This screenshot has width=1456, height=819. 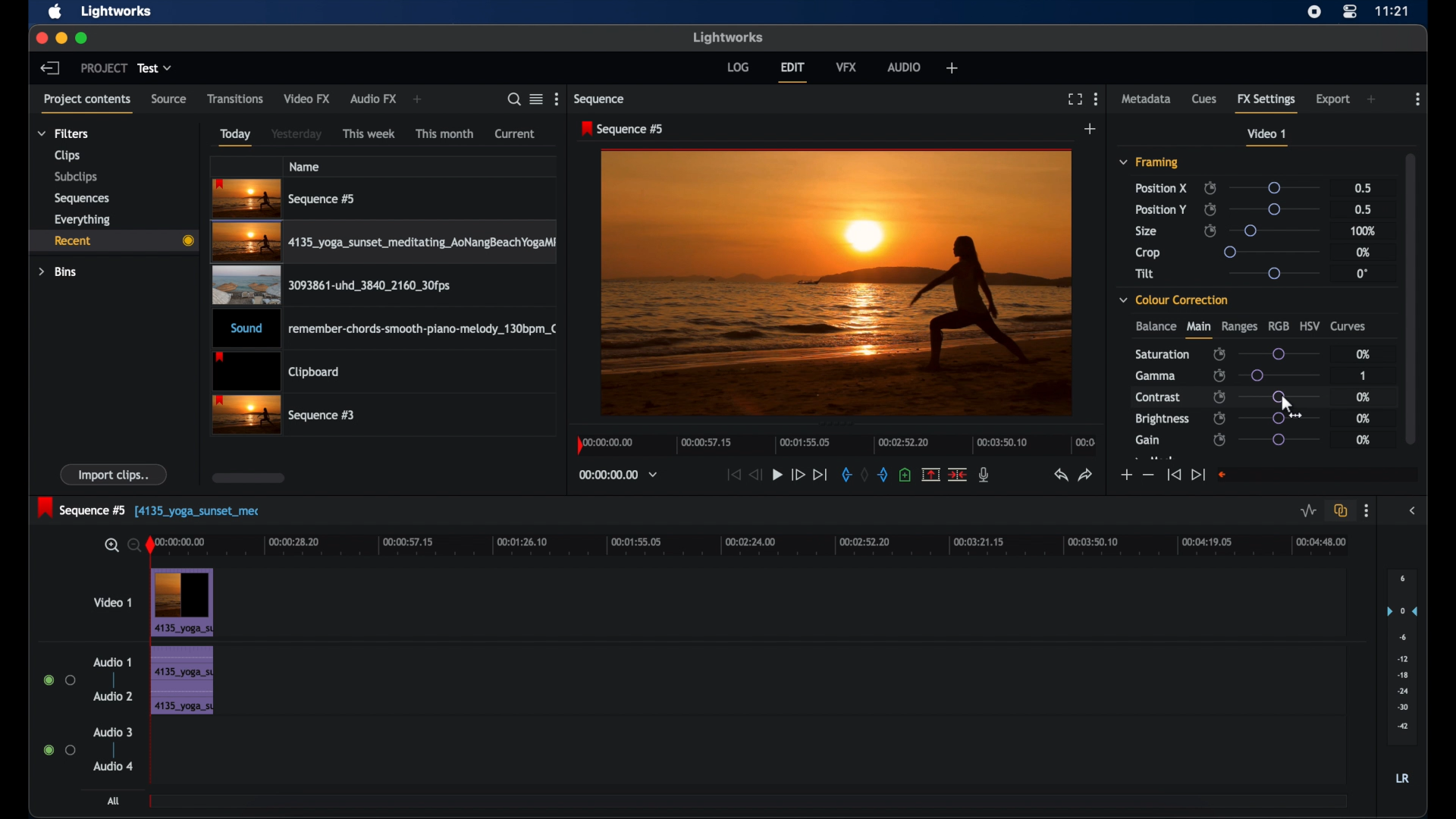 What do you see at coordinates (1197, 475) in the screenshot?
I see `jump to end` at bounding box center [1197, 475].